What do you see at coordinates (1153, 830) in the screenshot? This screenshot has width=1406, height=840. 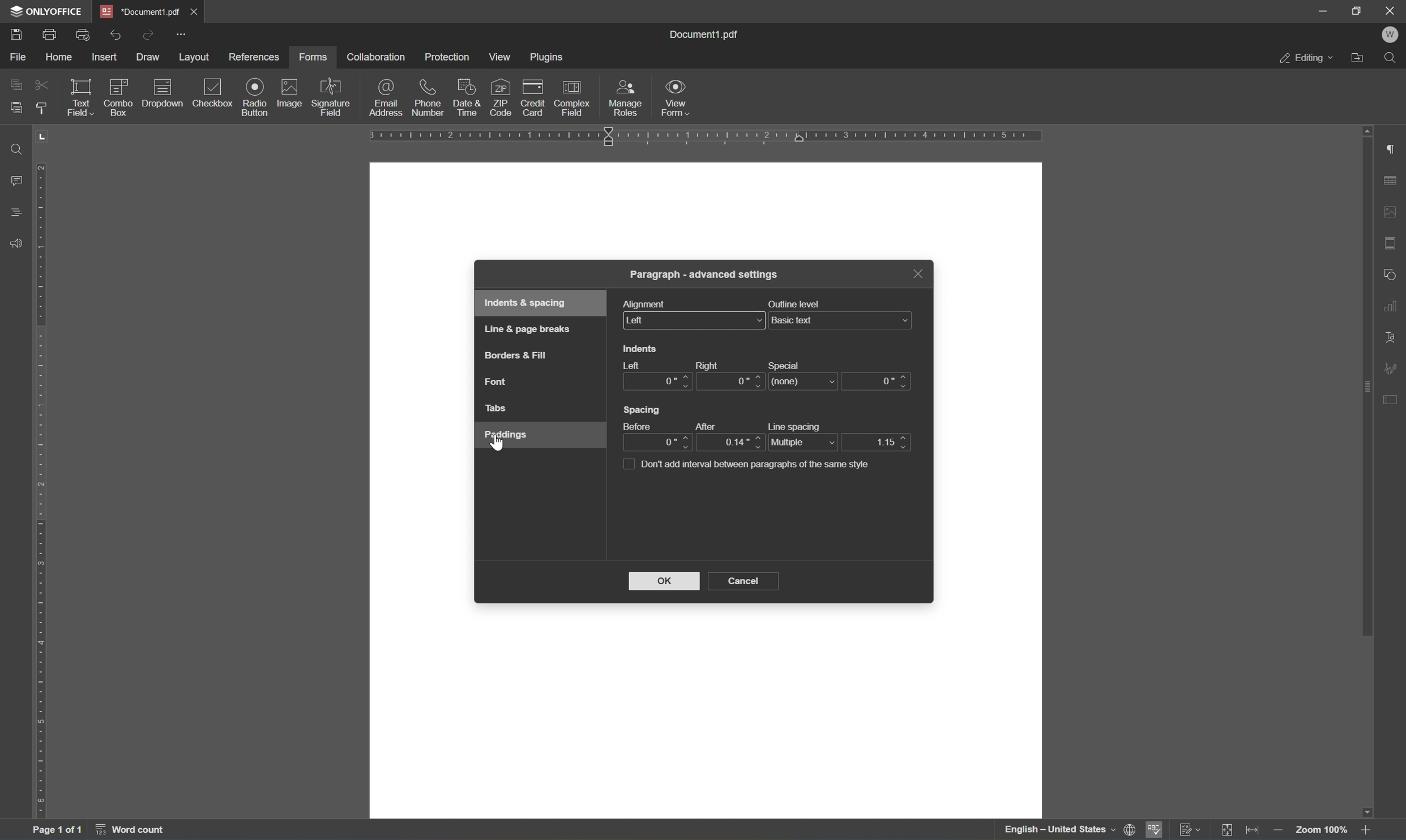 I see `spell checking` at bounding box center [1153, 830].